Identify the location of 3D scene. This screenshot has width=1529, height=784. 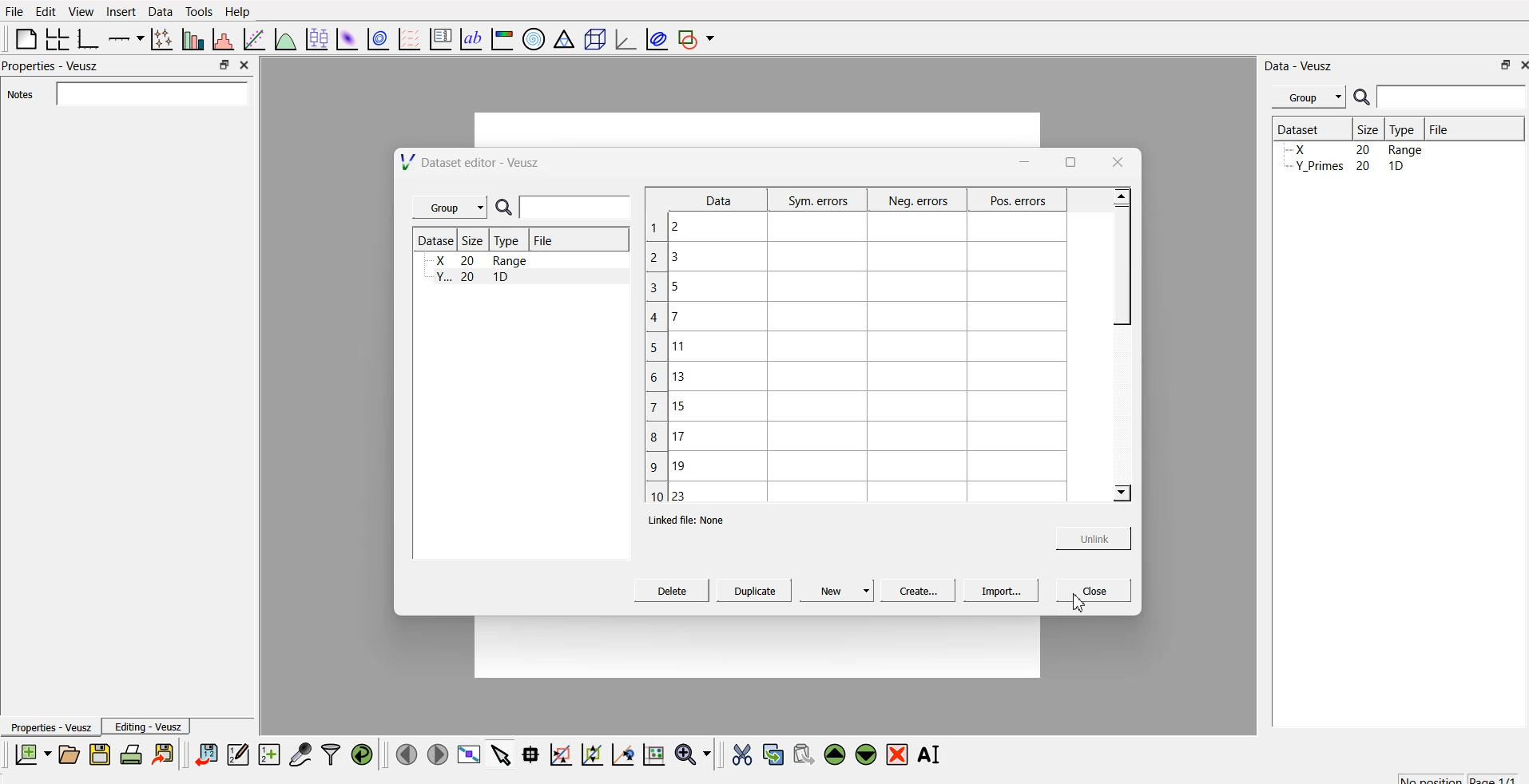
(595, 41).